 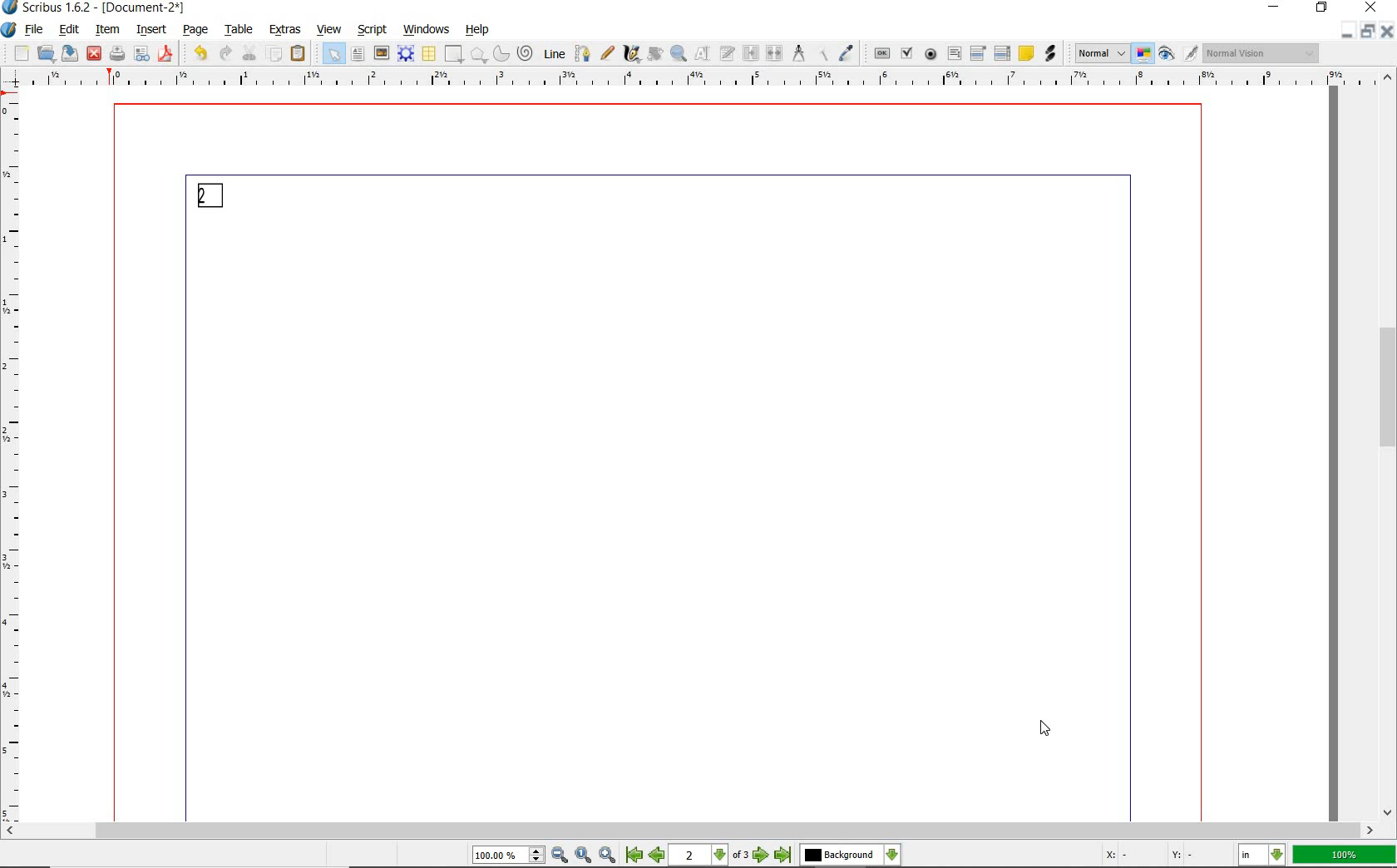 I want to click on measurements, so click(x=800, y=55).